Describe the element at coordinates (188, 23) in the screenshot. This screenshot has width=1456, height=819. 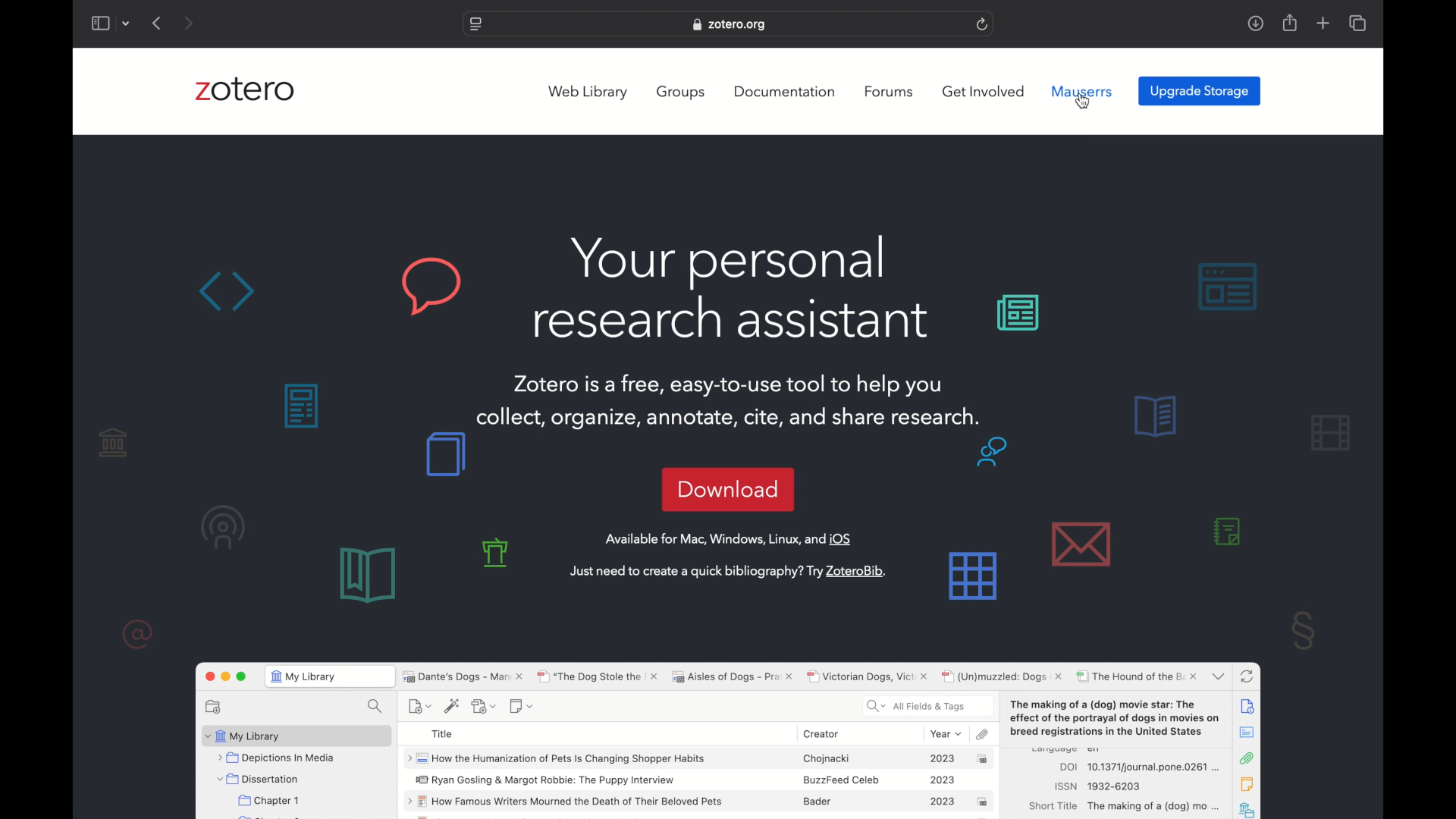
I see `next` at that location.